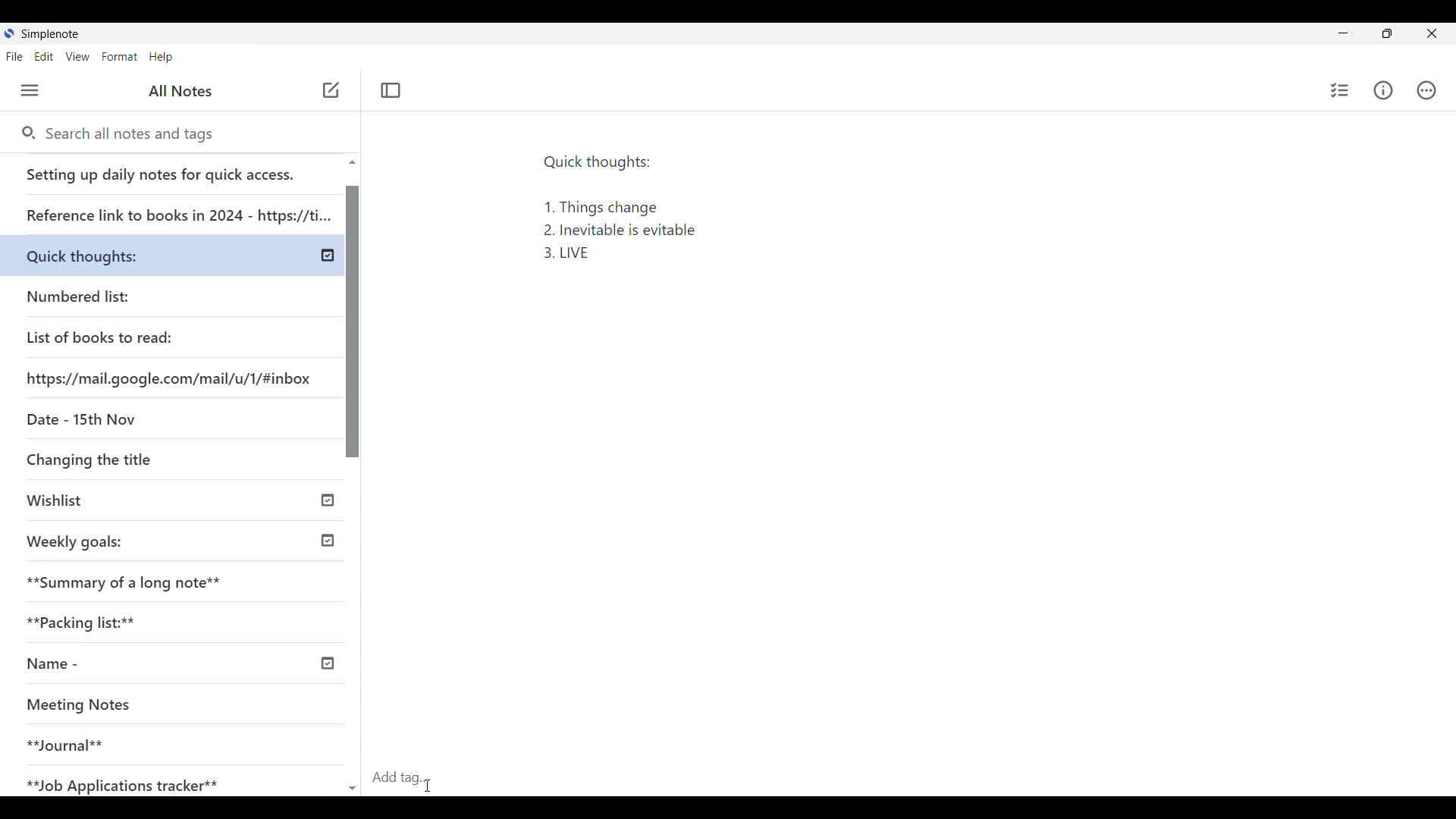  I want to click on Format menu, so click(120, 57).